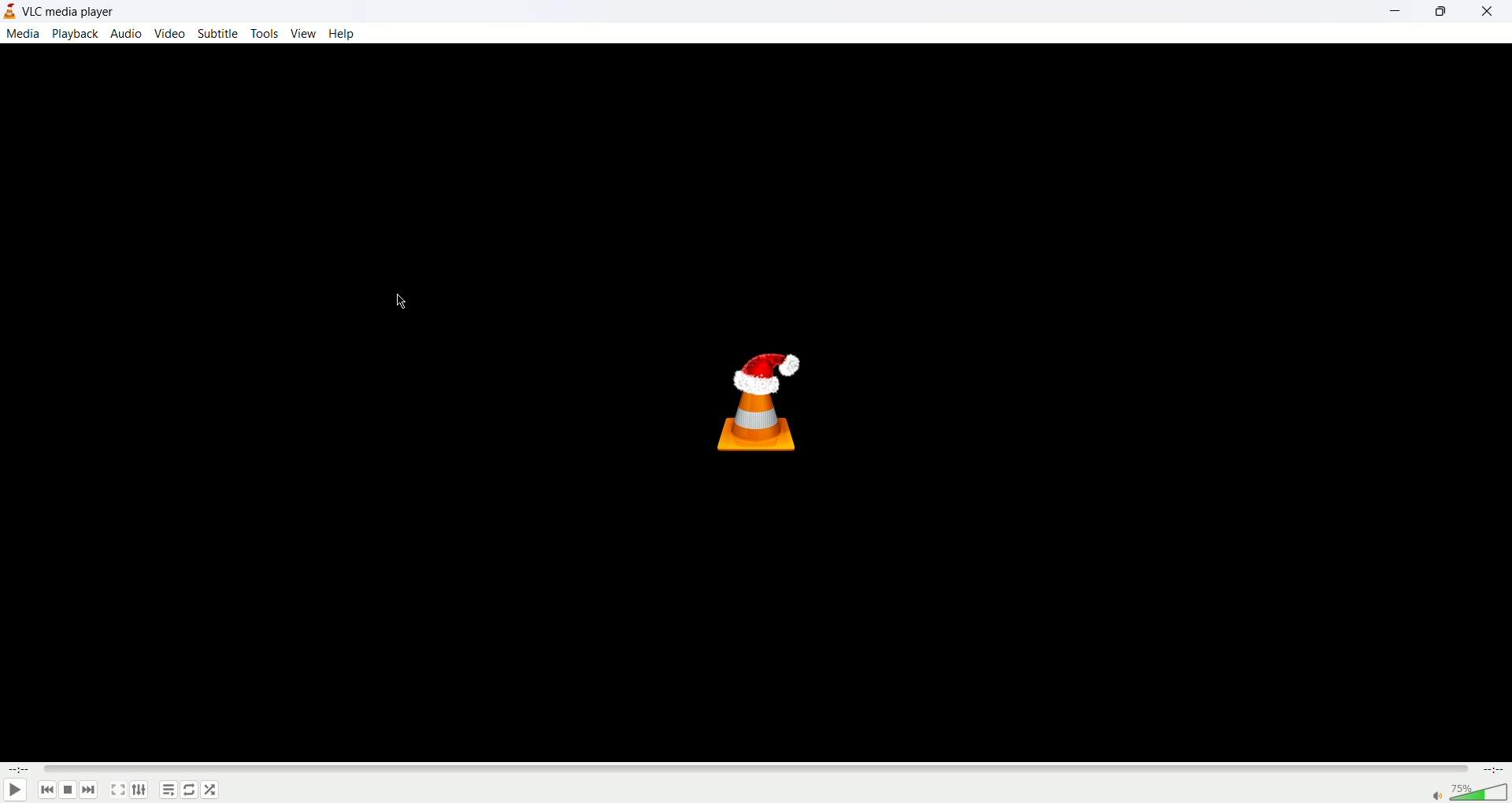 Image resolution: width=1512 pixels, height=803 pixels. What do you see at coordinates (13, 10) in the screenshot?
I see `application icon` at bounding box center [13, 10].